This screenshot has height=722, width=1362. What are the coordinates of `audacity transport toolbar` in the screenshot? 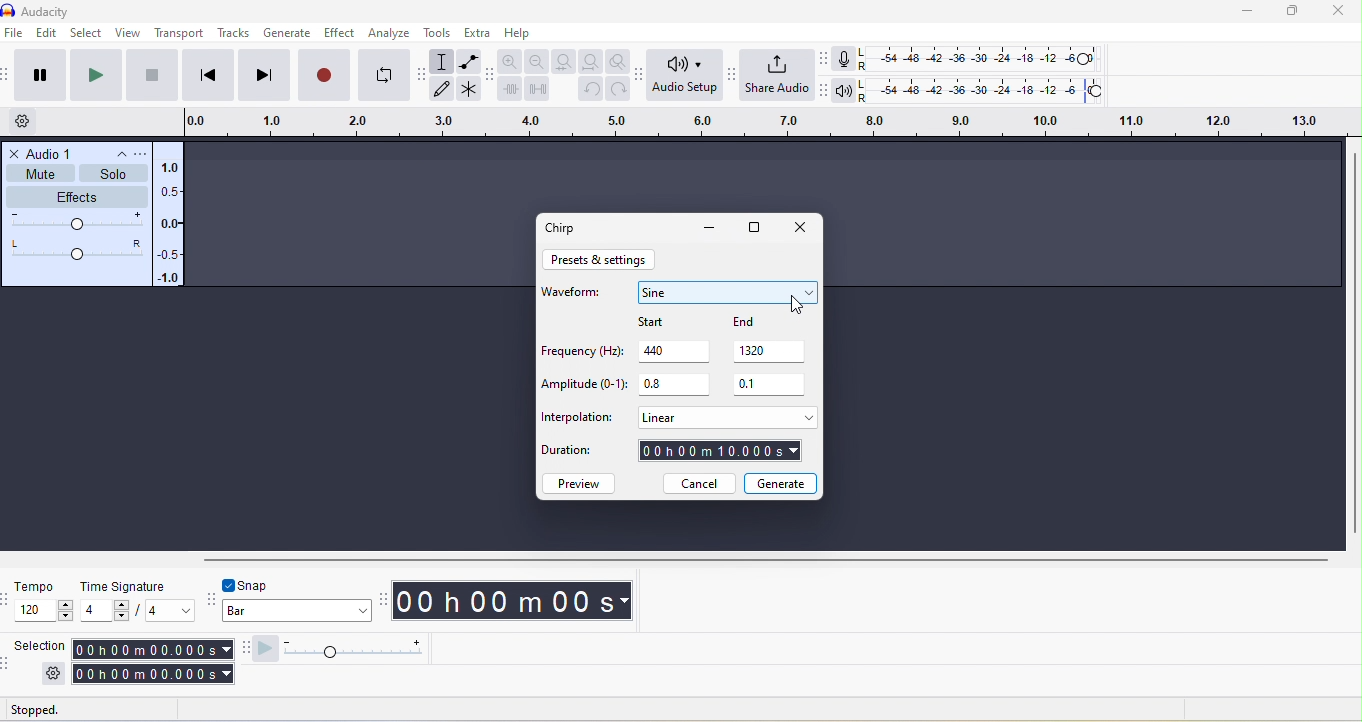 It's located at (9, 77).